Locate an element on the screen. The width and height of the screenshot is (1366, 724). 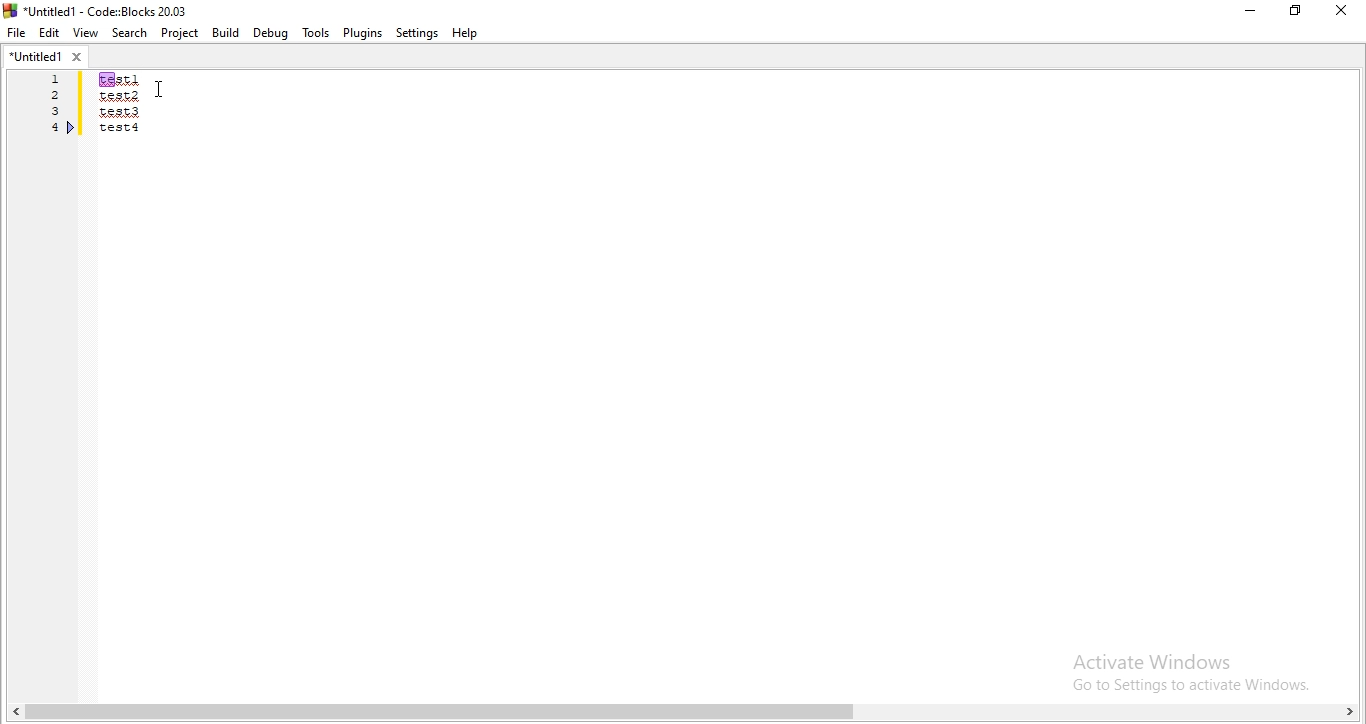
Edit  is located at coordinates (50, 33).